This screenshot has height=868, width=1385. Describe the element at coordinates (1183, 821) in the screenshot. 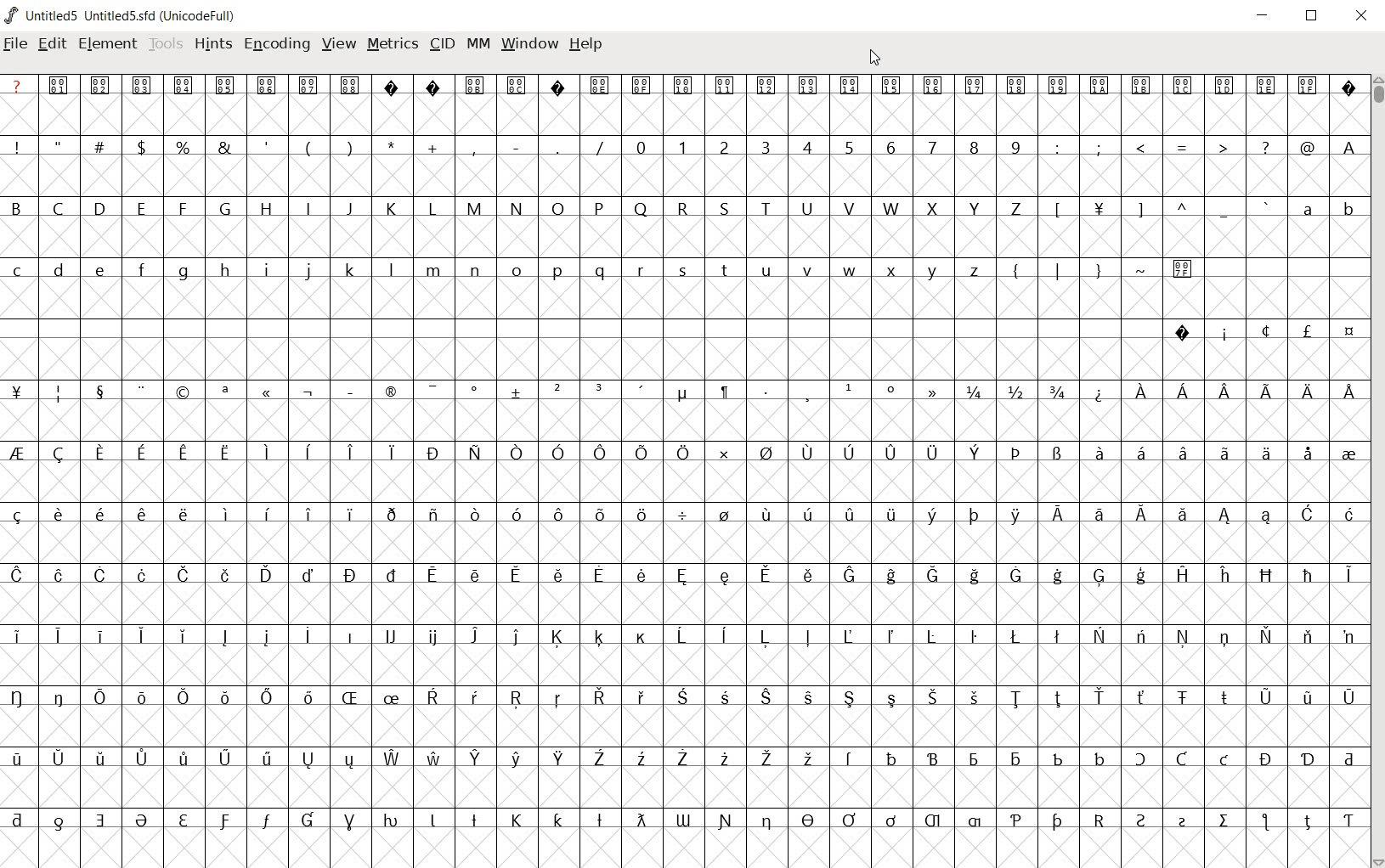

I see `Symbol` at that location.